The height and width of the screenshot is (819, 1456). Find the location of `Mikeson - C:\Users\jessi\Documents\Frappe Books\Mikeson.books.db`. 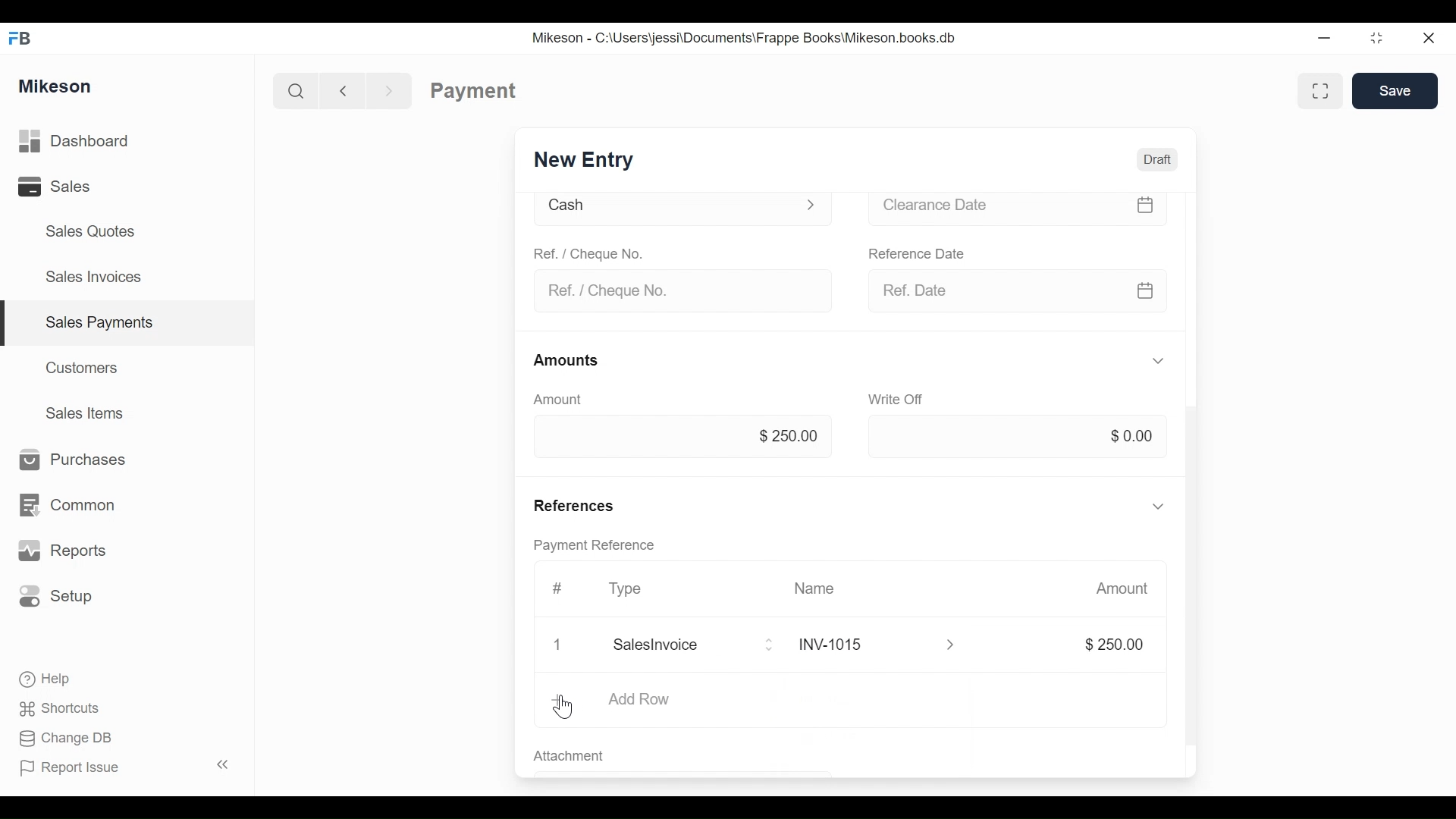

Mikeson - C:\Users\jessi\Documents\Frappe Books\Mikeson.books.db is located at coordinates (745, 38).